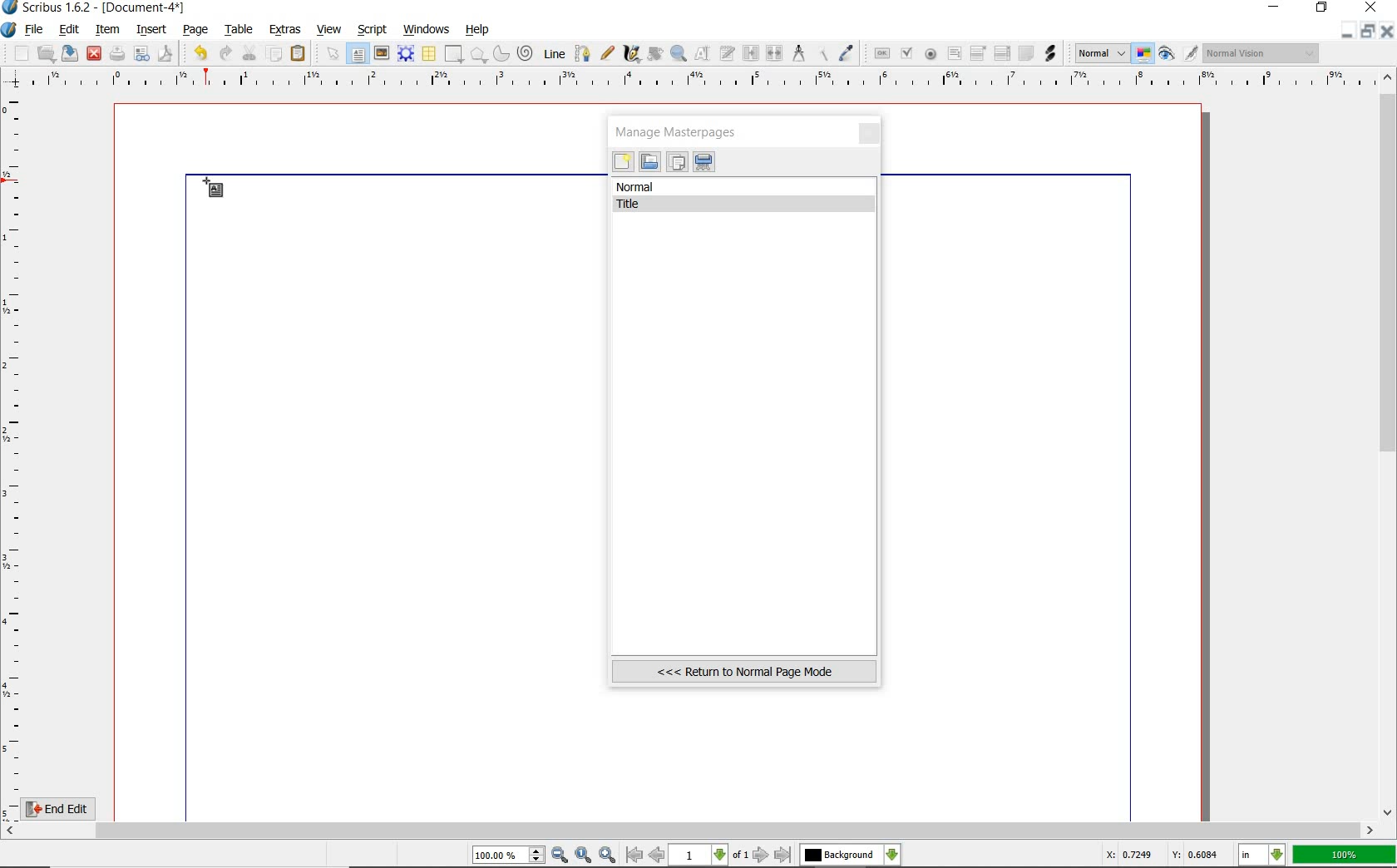 This screenshot has height=868, width=1397. I want to click on zoom in or zoom out, so click(679, 53).